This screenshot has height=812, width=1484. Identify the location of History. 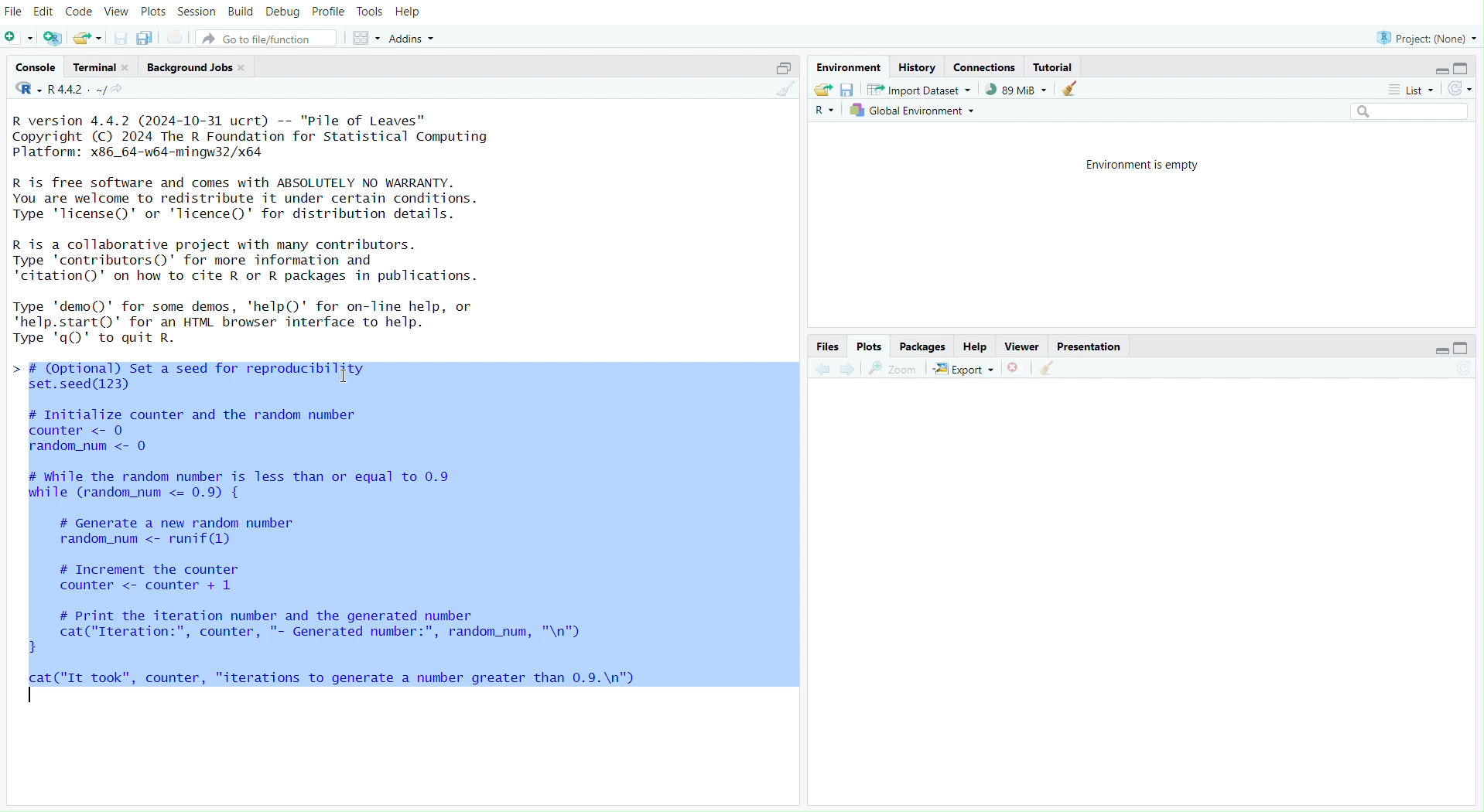
(922, 65).